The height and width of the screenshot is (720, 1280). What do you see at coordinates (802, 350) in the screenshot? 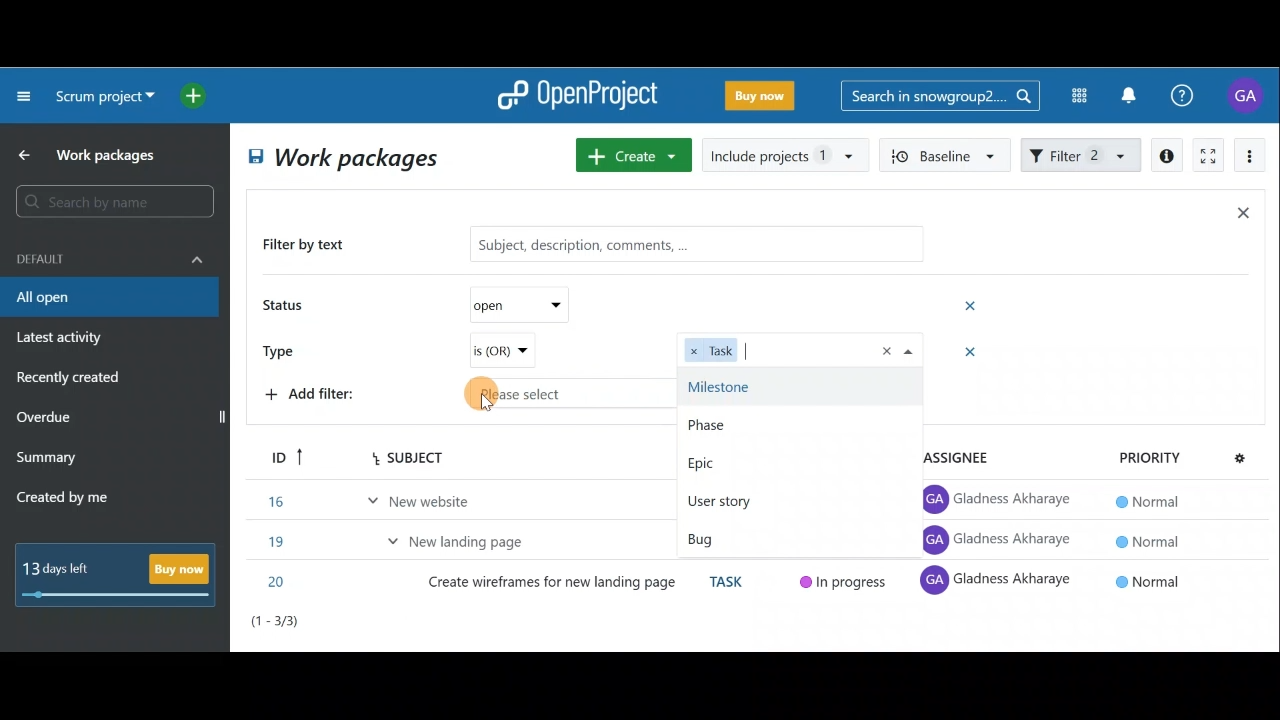
I see `Select type` at bounding box center [802, 350].